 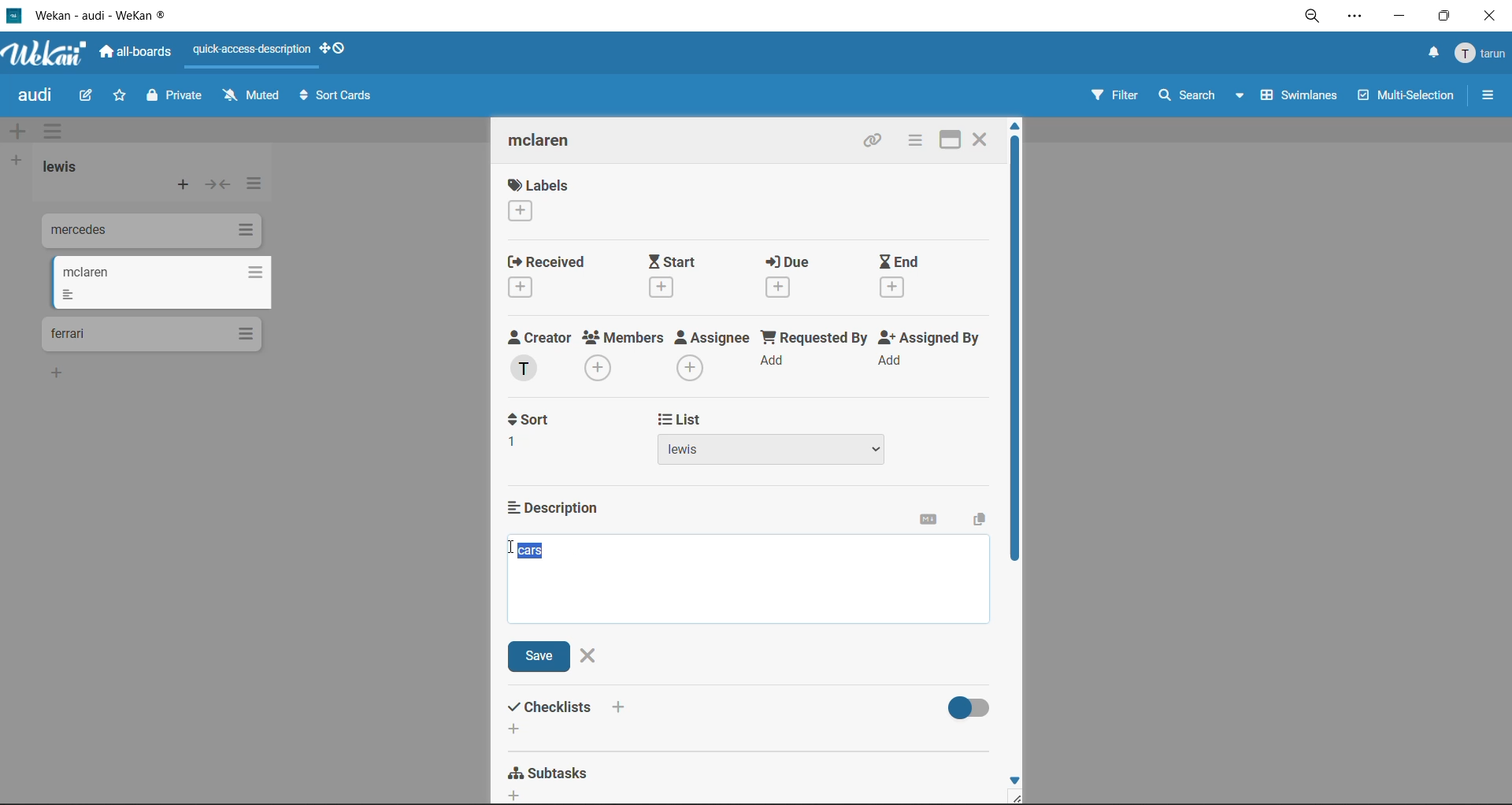 I want to click on markdown, so click(x=933, y=522).